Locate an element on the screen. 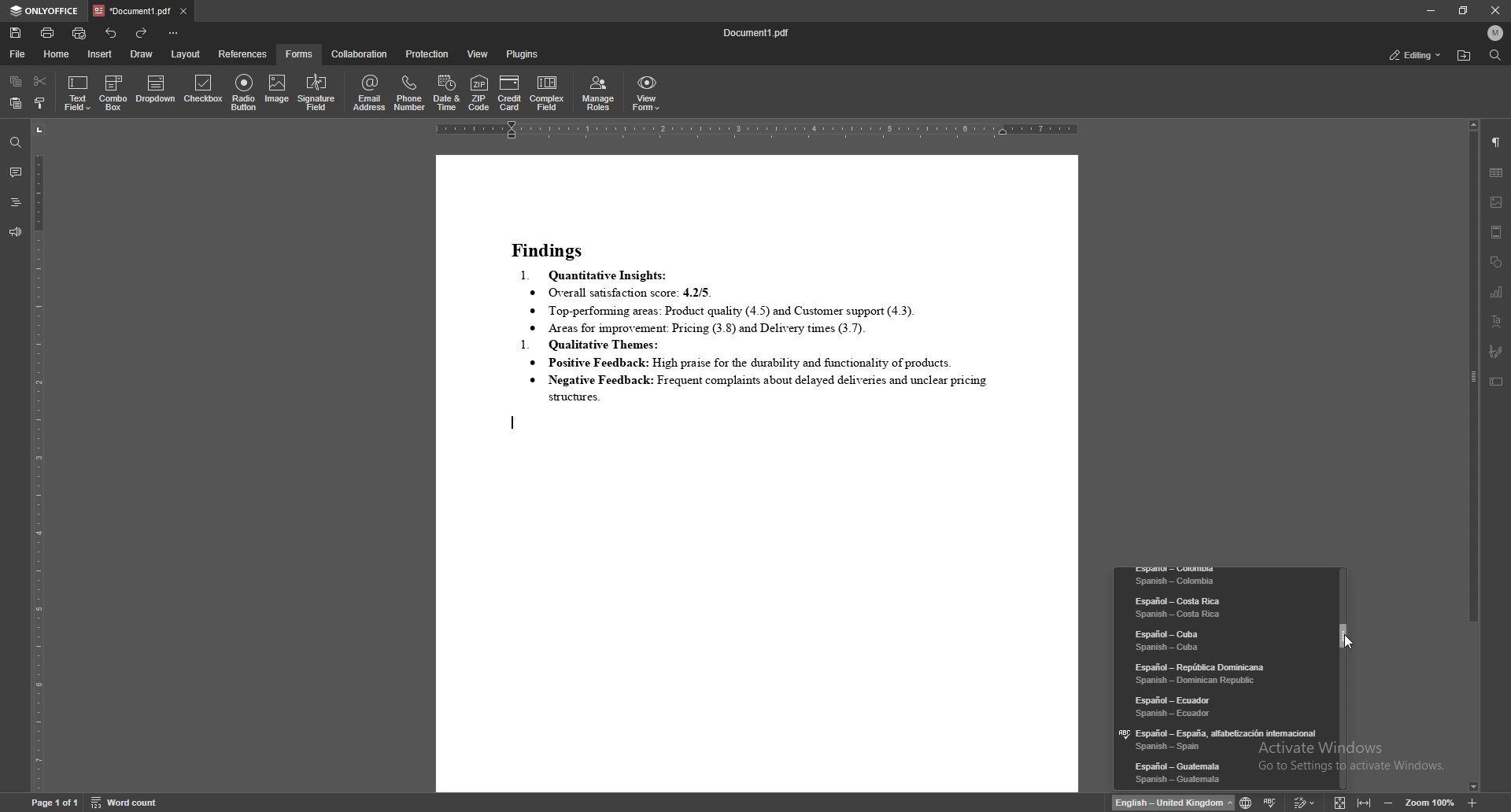 The width and height of the screenshot is (1511, 812). combo box is located at coordinates (114, 92).